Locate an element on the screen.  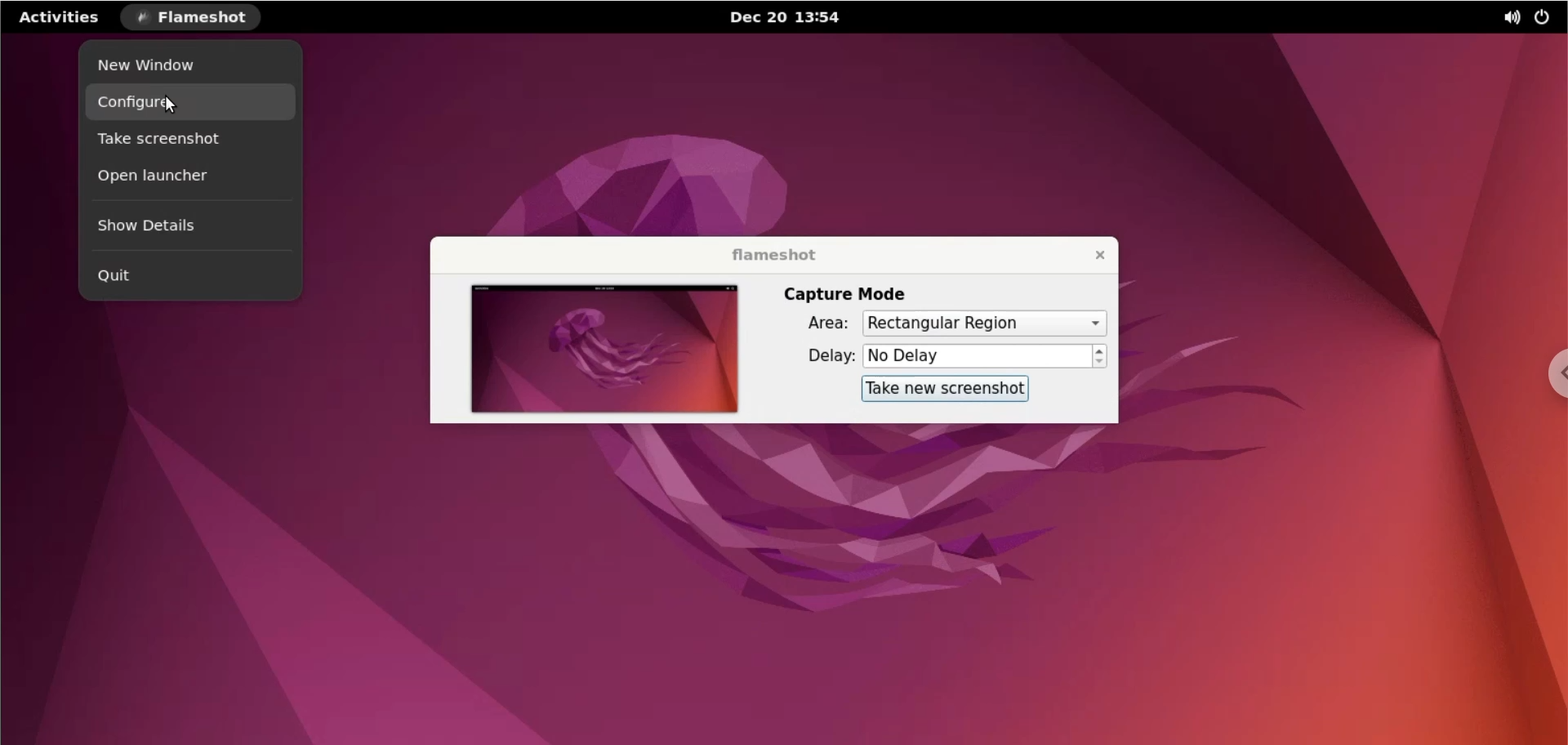
cursor is located at coordinates (170, 102).